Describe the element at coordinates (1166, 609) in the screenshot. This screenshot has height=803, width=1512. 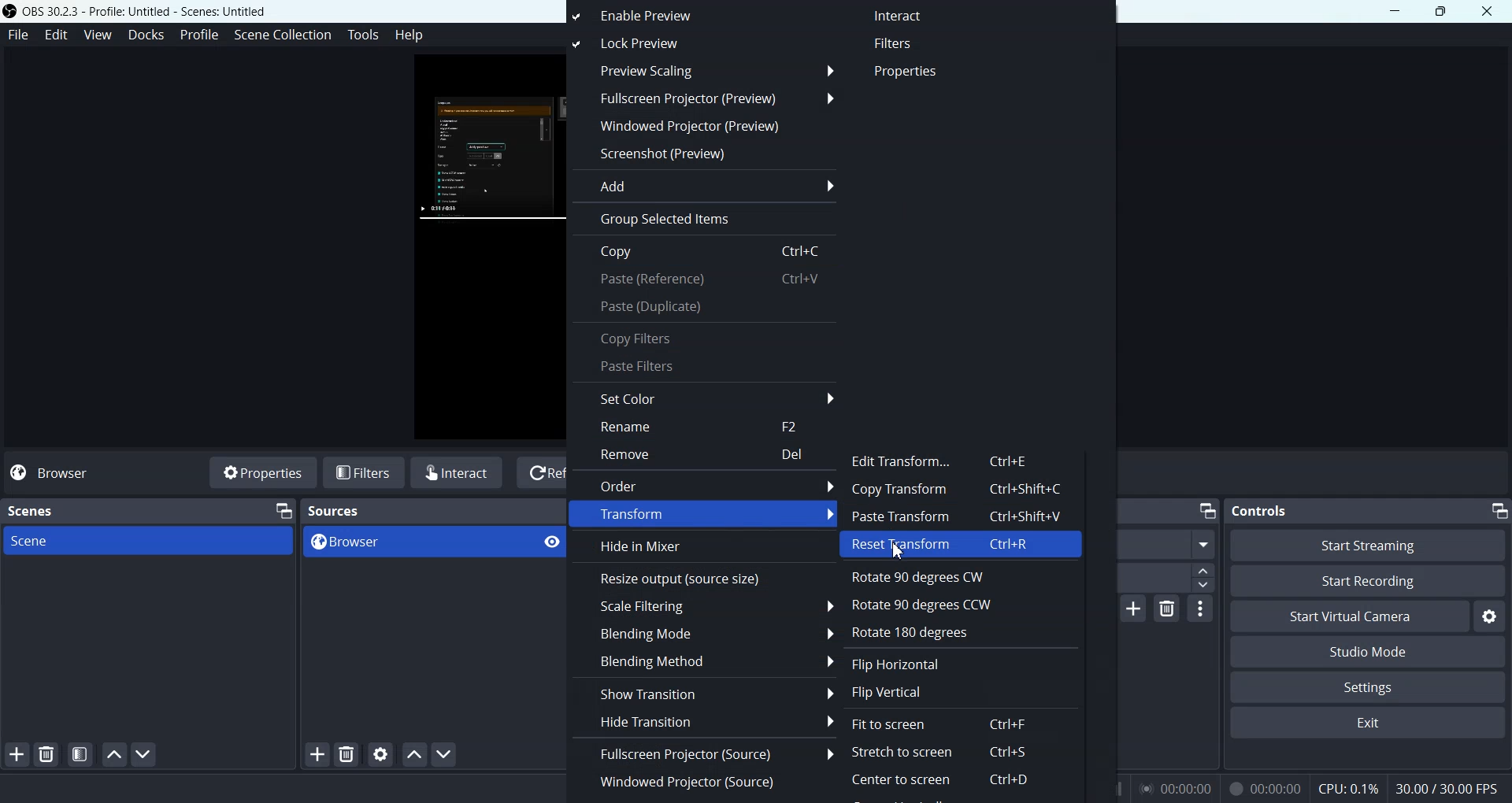
I see `Remove configurable transition` at that location.